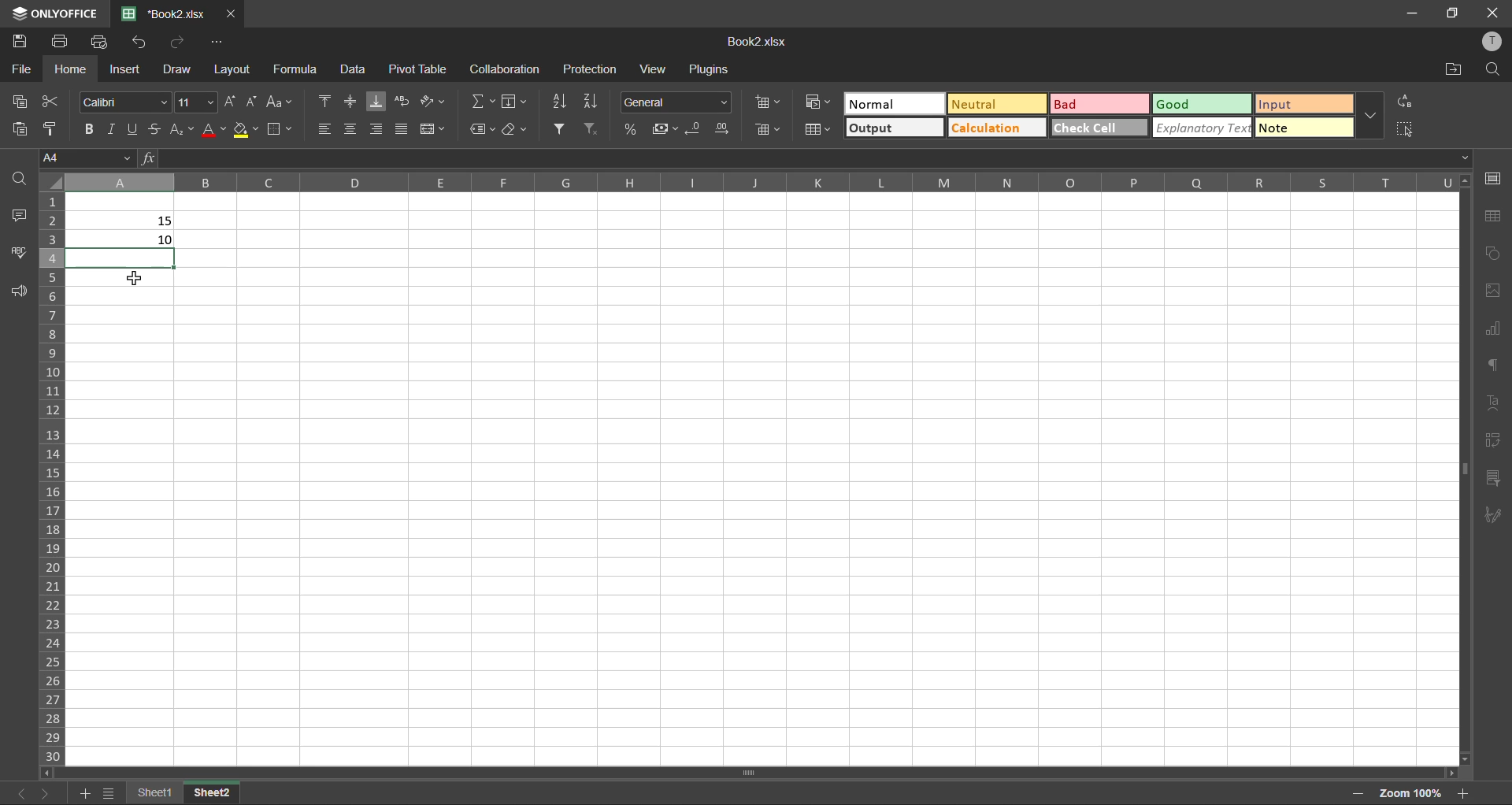 This screenshot has width=1512, height=805. I want to click on plugins, so click(711, 69).